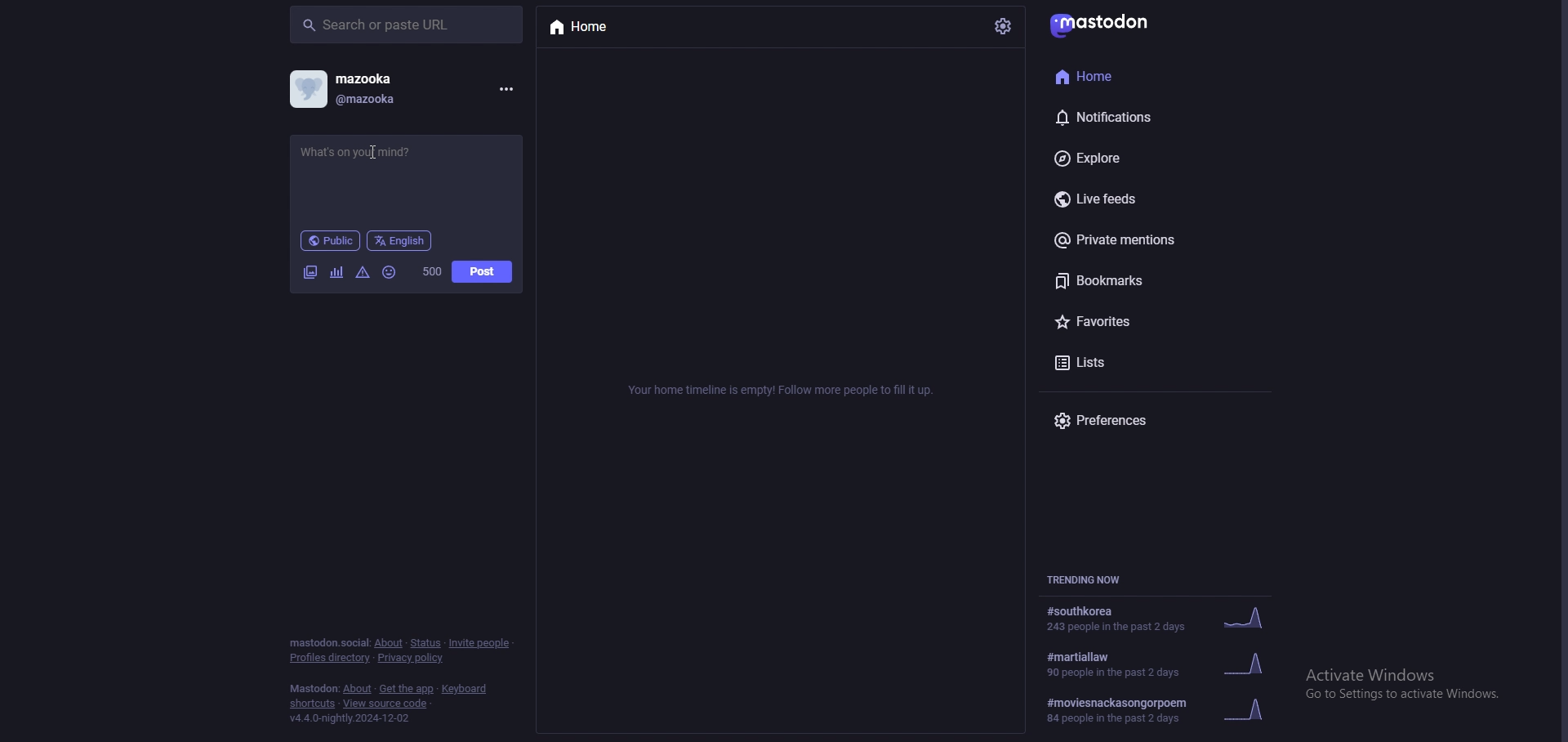 This screenshot has width=1568, height=742. What do you see at coordinates (786, 388) in the screenshot?
I see `info` at bounding box center [786, 388].